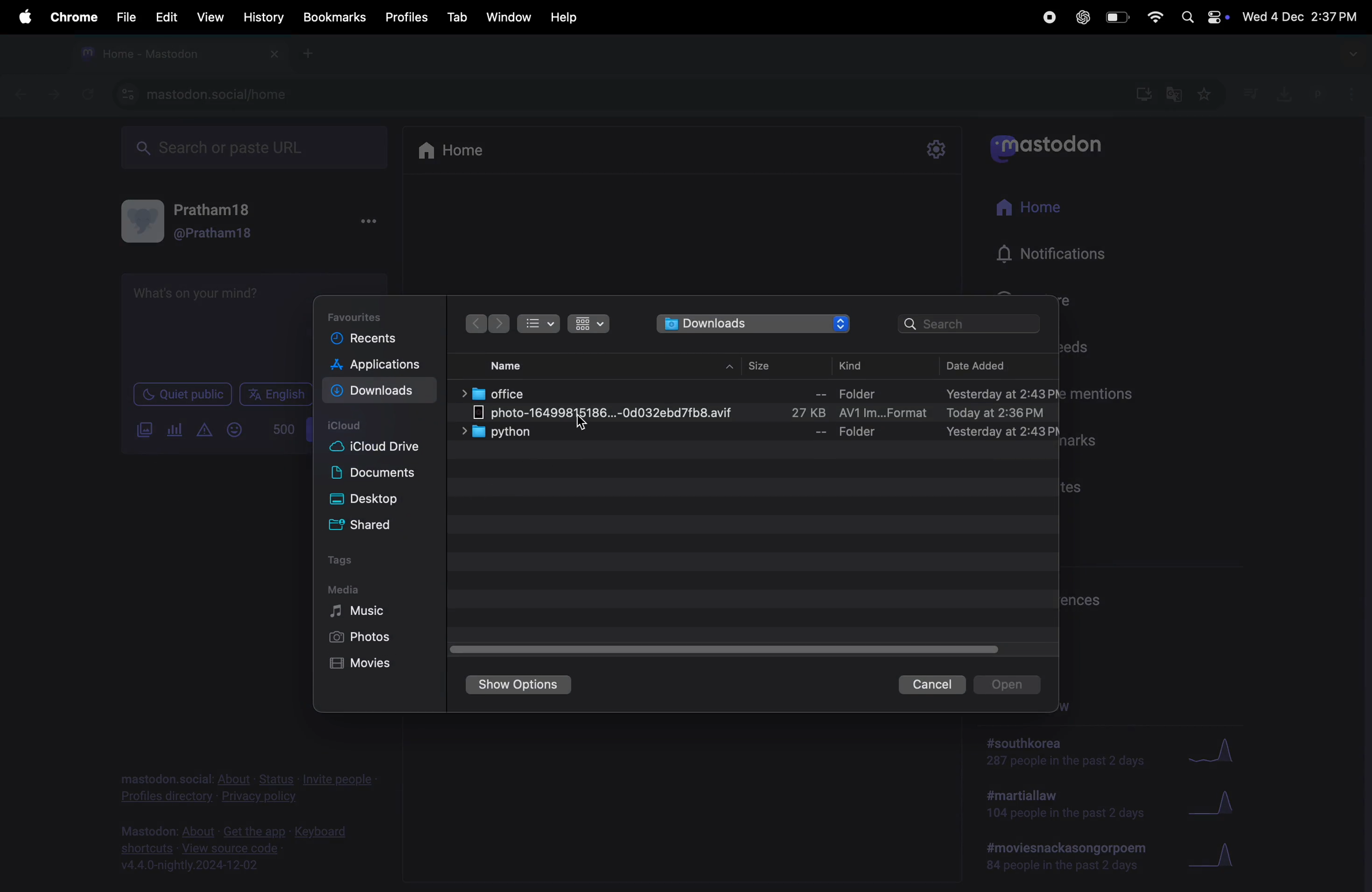 The width and height of the screenshot is (1372, 892). Describe the element at coordinates (1139, 93) in the screenshot. I see `download mastodon` at that location.